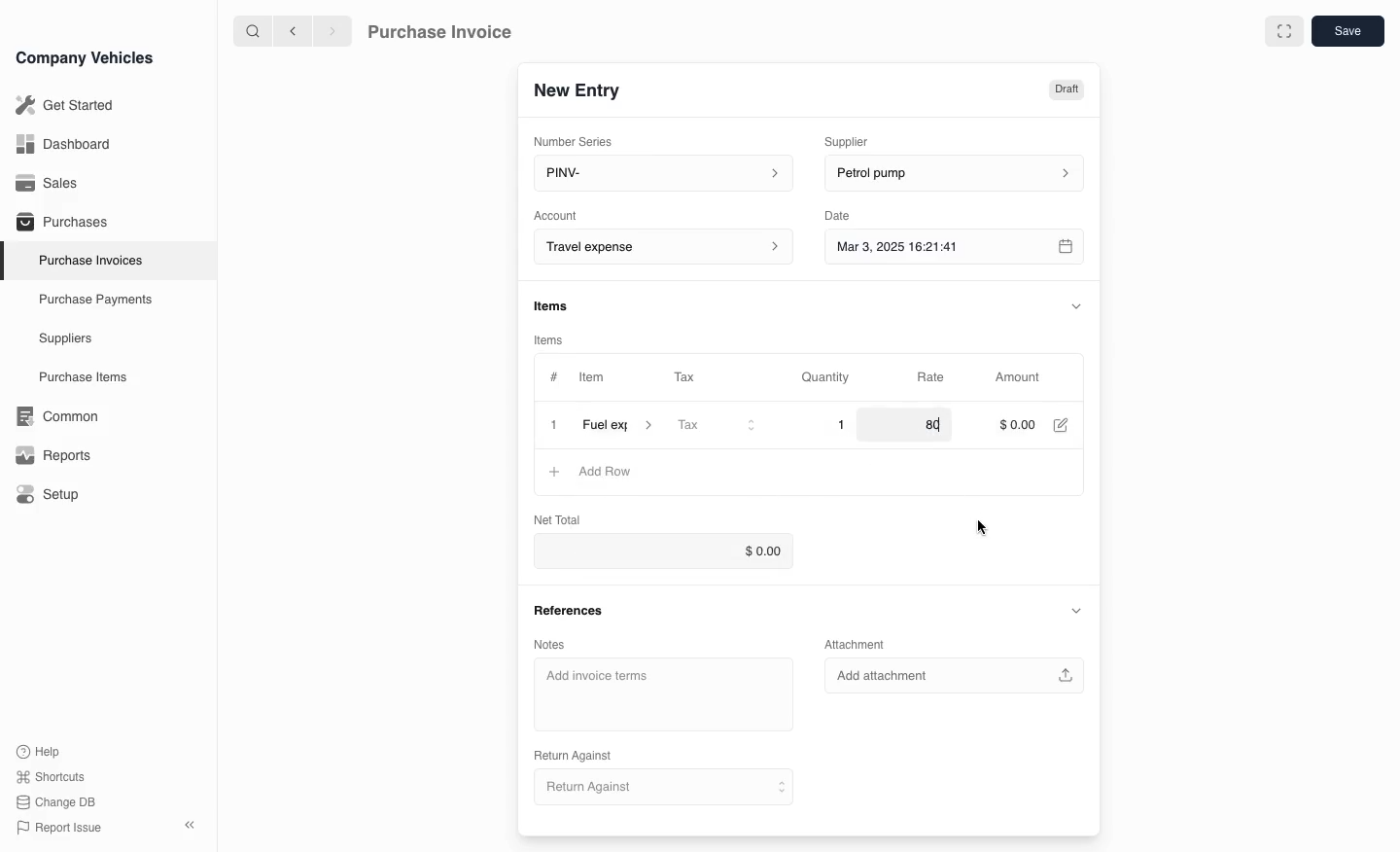 The image size is (1400, 852). I want to click on 1, so click(827, 425).